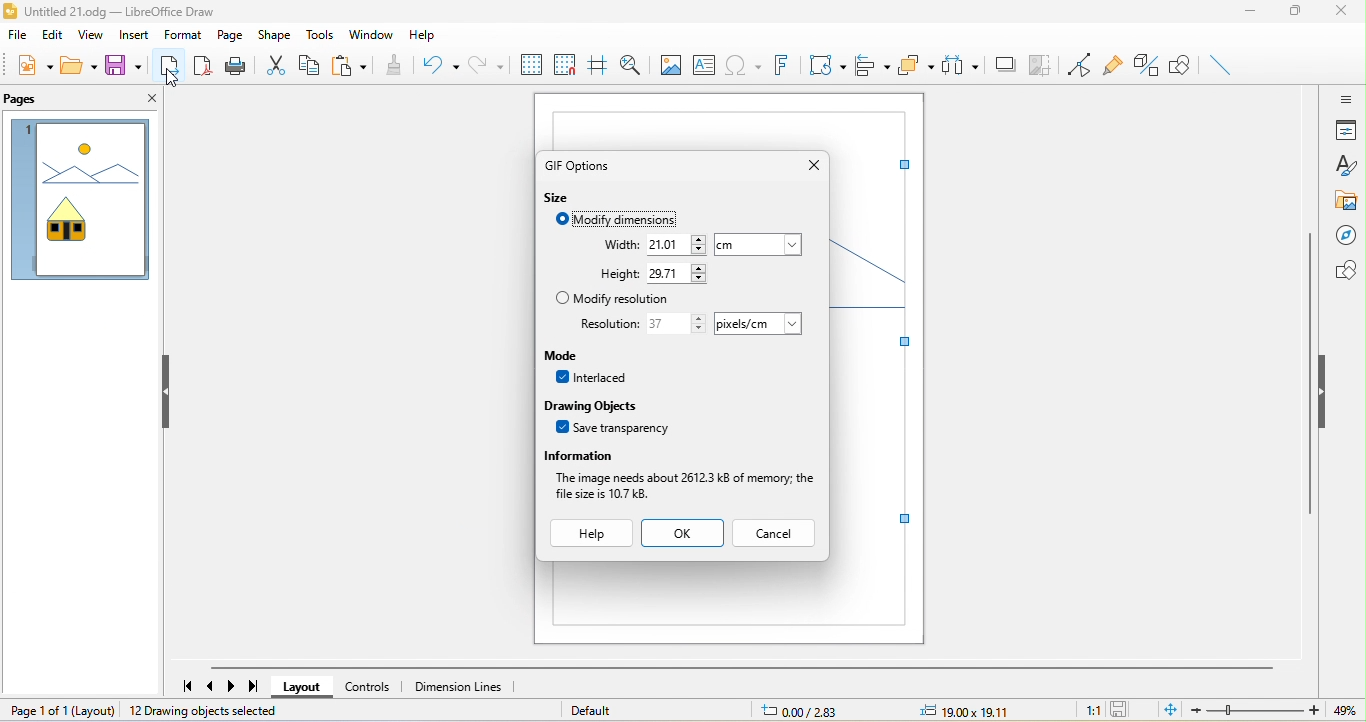  I want to click on arrange, so click(918, 65).